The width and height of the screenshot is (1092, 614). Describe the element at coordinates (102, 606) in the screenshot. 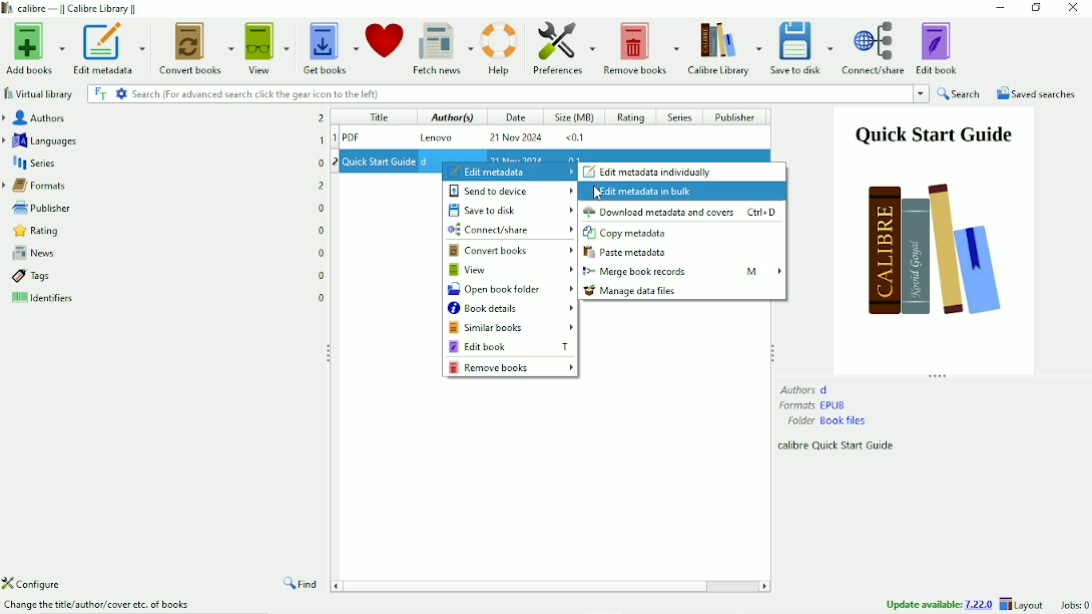

I see `calibre 7.21 created by Kovid Goyal` at that location.